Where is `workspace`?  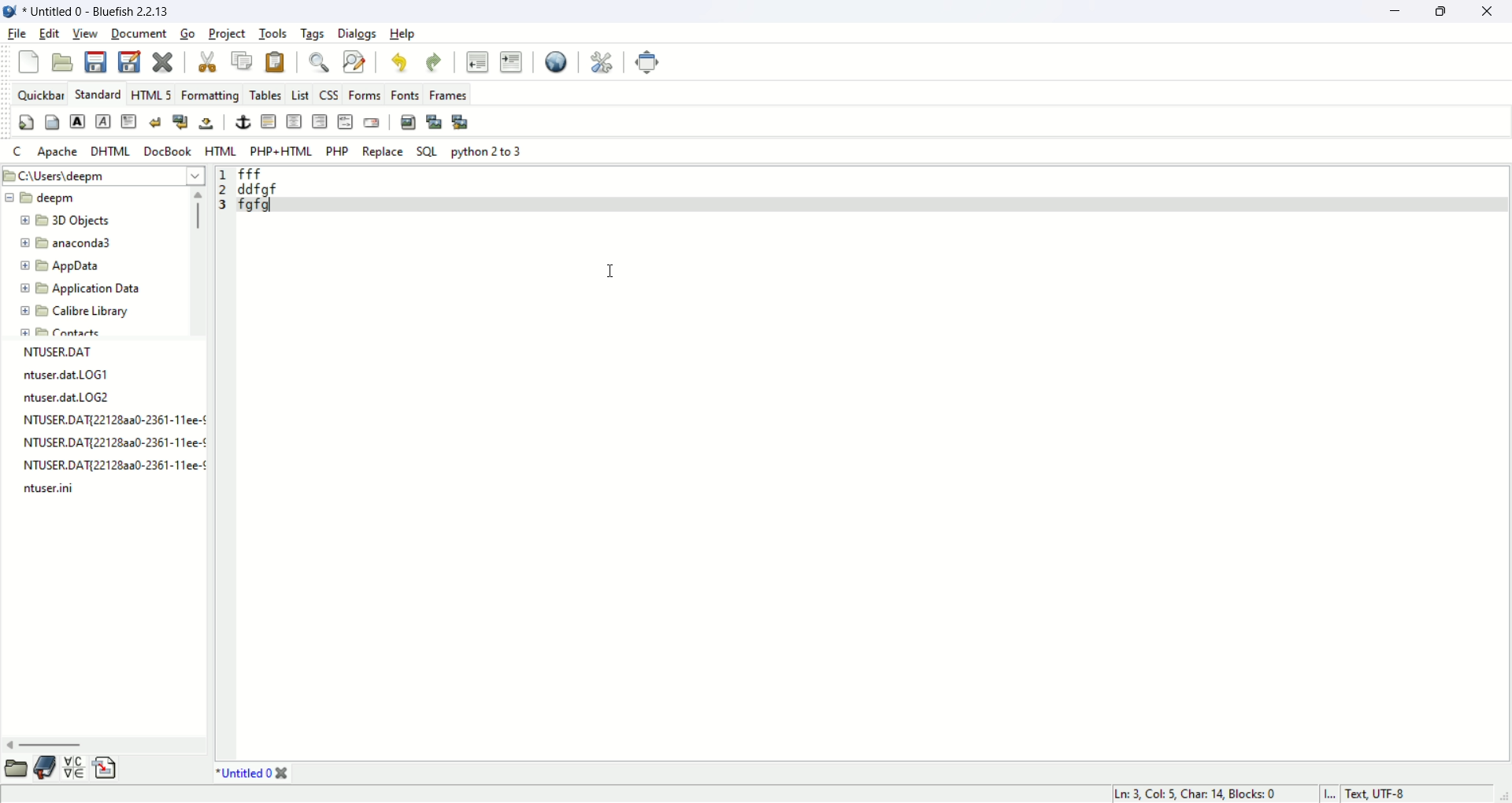 workspace is located at coordinates (872, 463).